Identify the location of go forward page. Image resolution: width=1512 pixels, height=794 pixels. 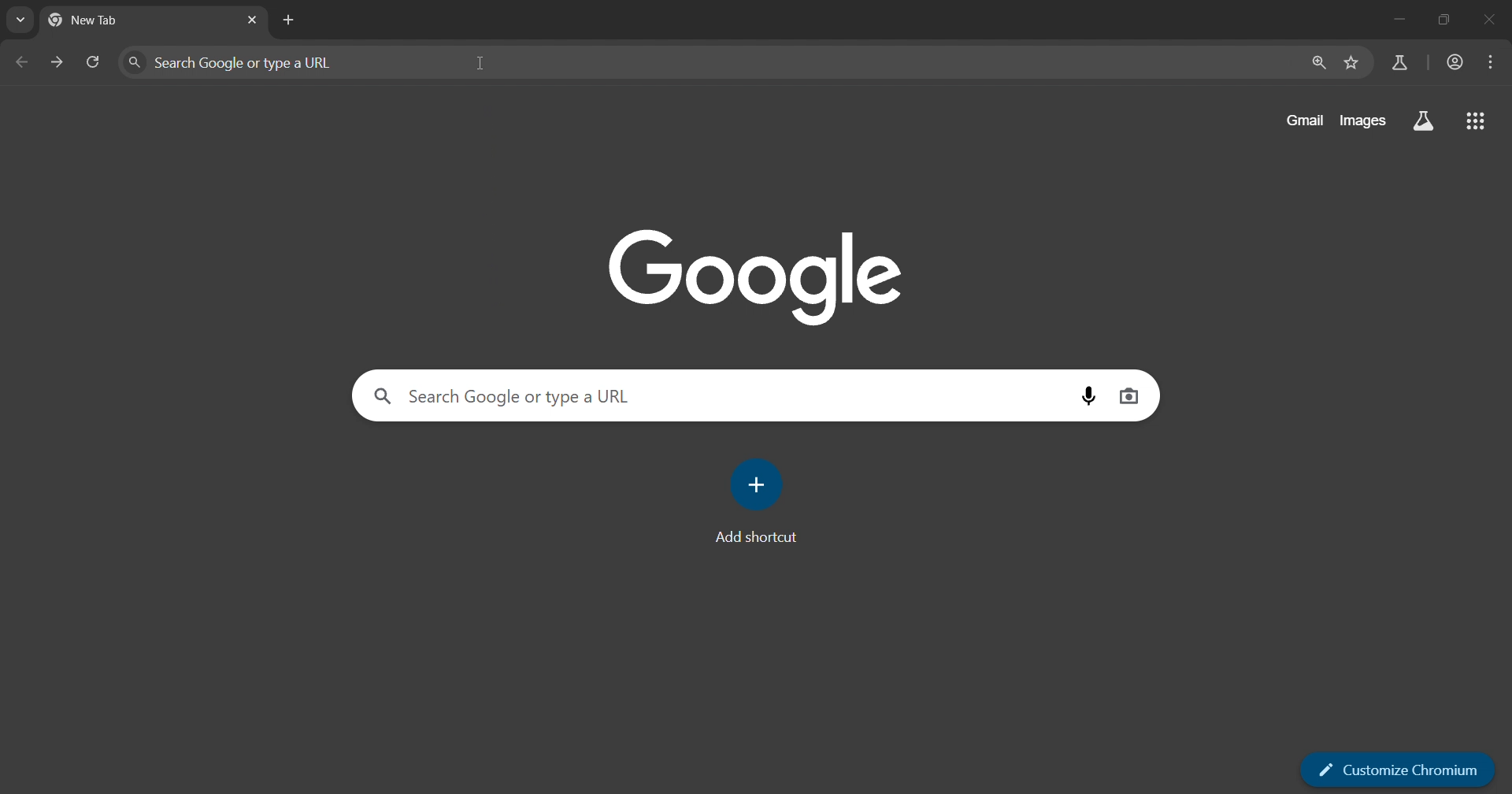
(57, 61).